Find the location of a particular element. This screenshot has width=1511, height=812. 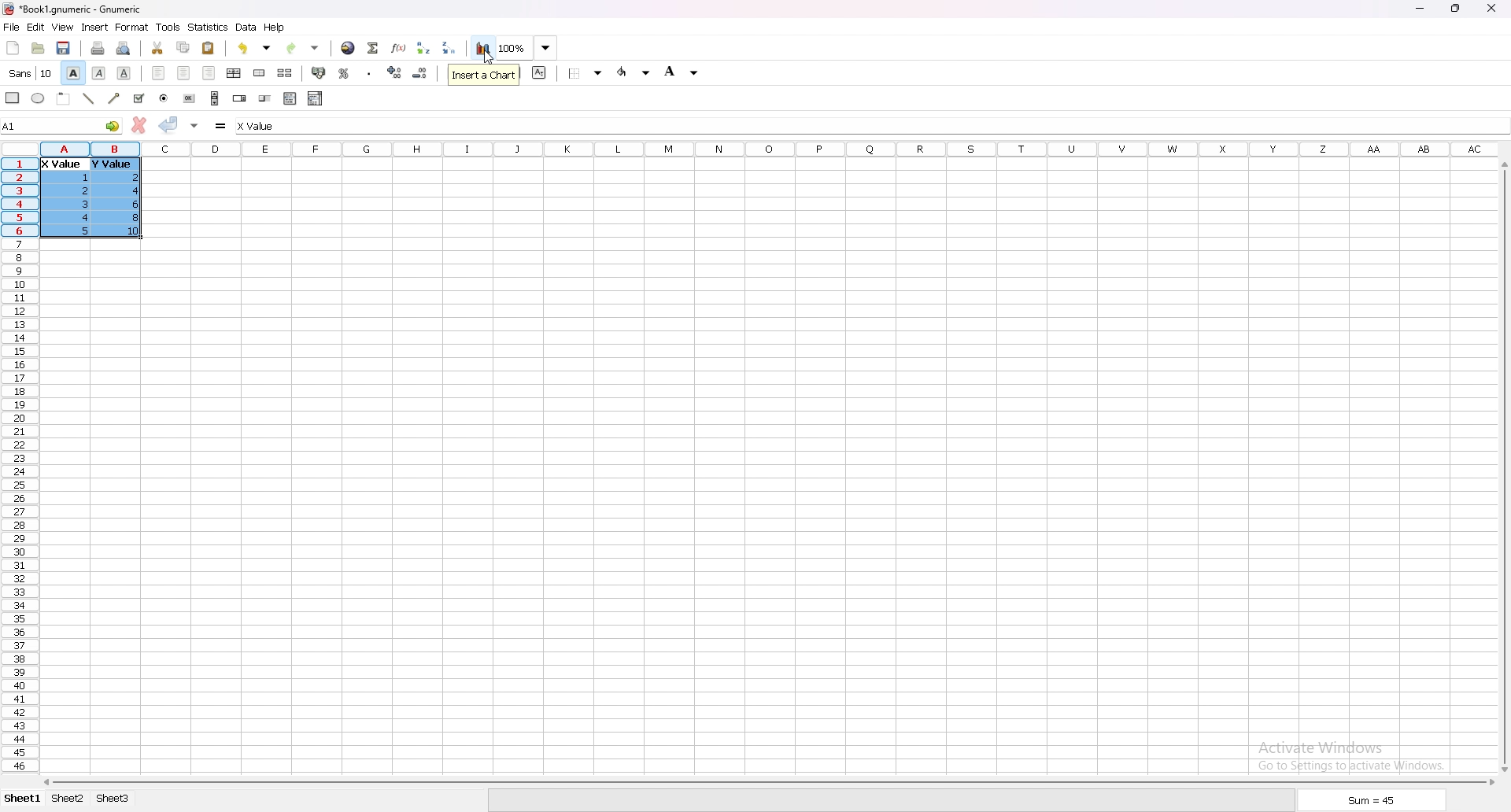

redo is located at coordinates (305, 48).